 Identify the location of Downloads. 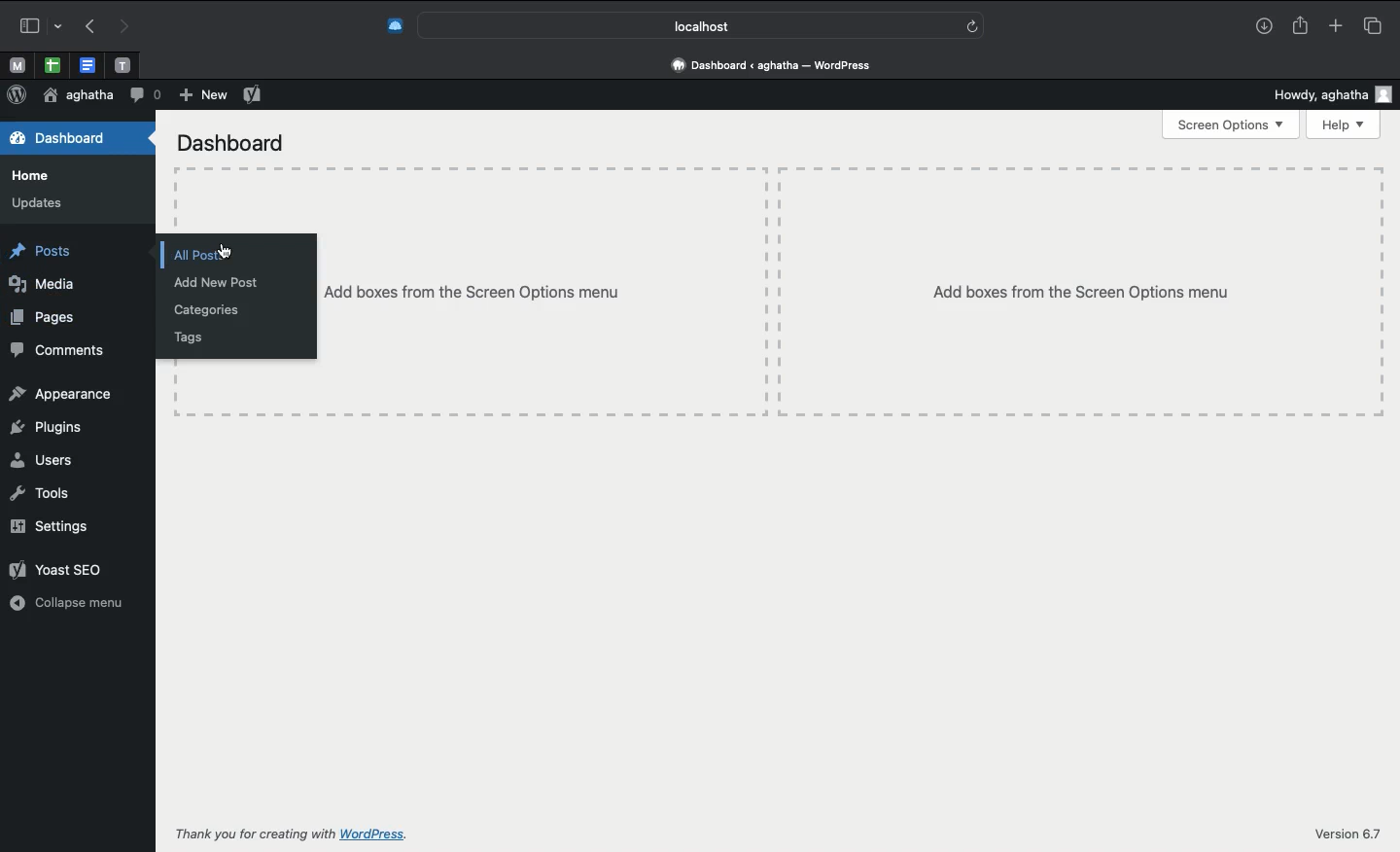
(1266, 25).